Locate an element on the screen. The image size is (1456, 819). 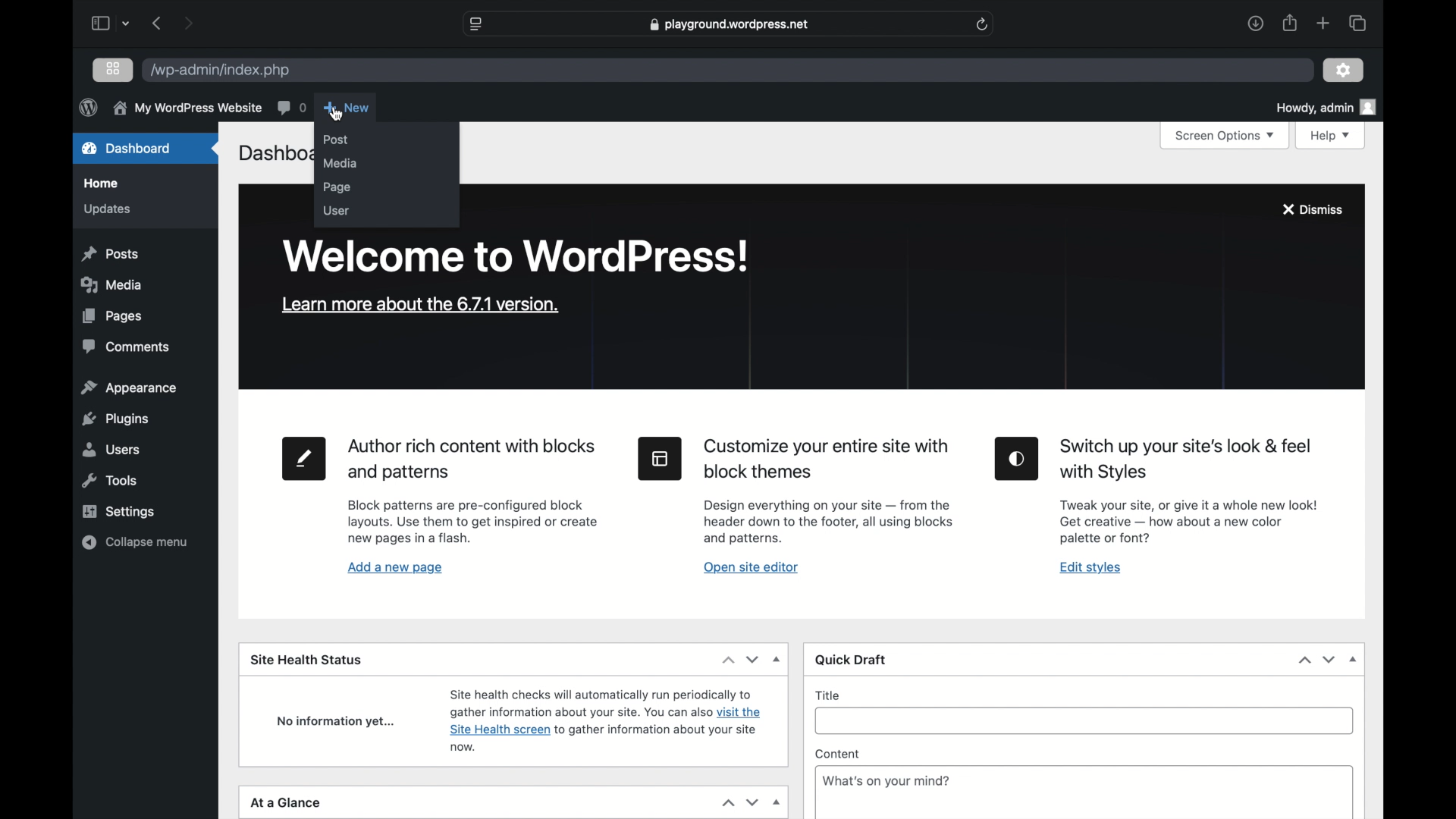
add a new page is located at coordinates (396, 568).